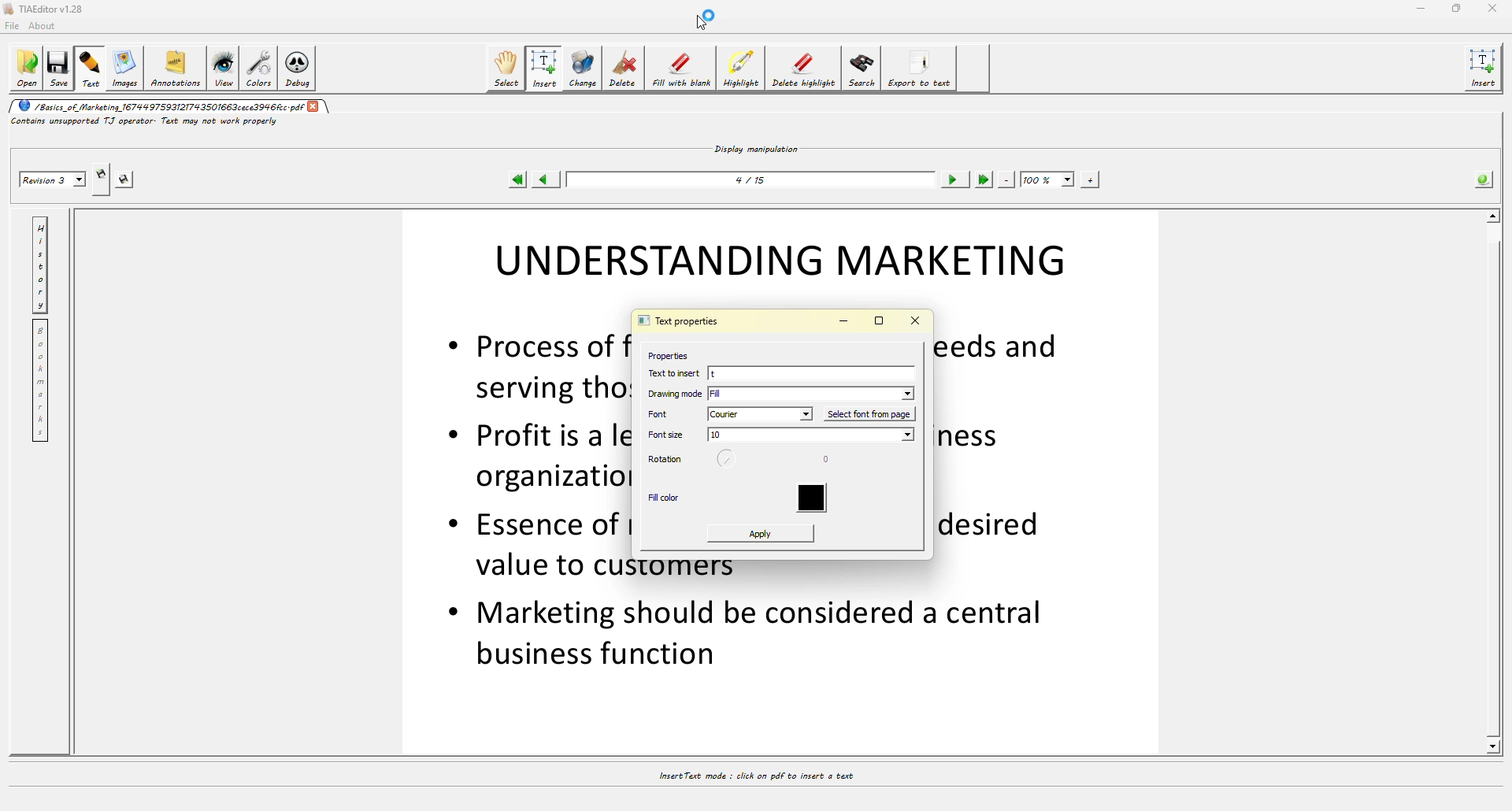 The image size is (1512, 811). Describe the element at coordinates (761, 414) in the screenshot. I see `courier` at that location.